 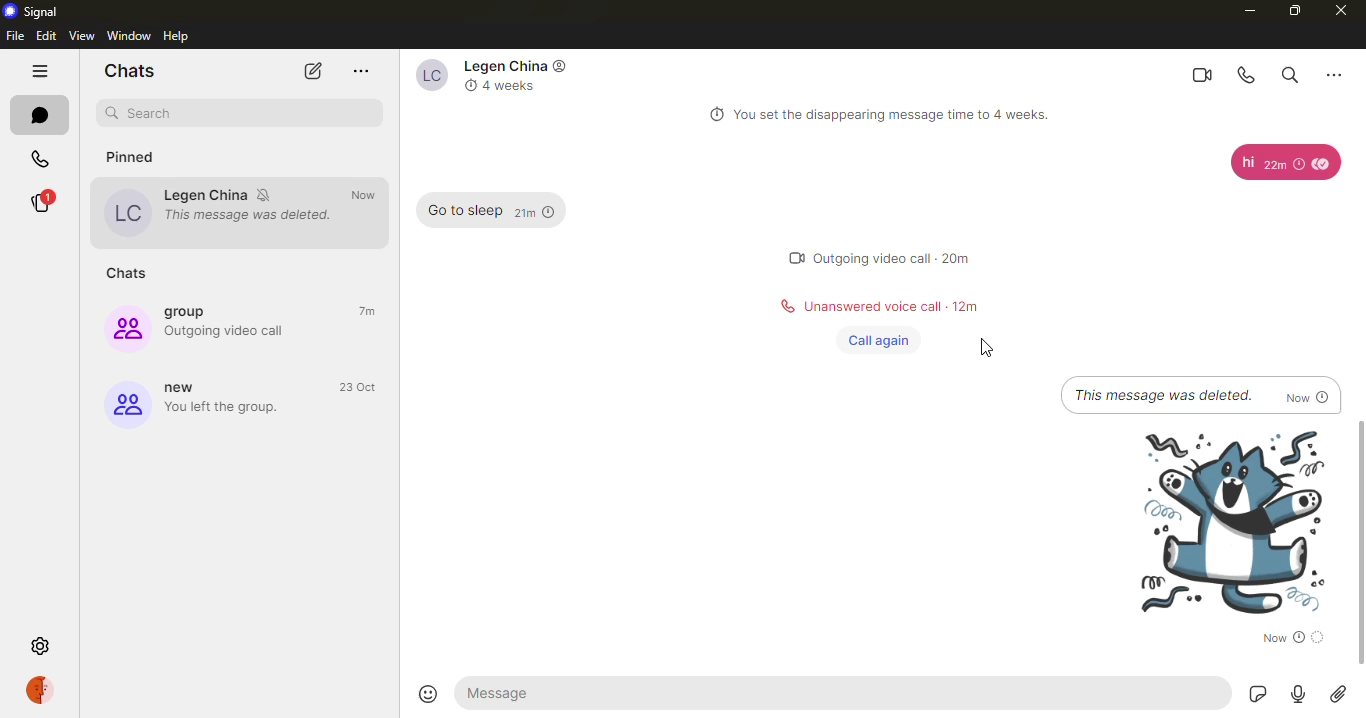 I want to click on Legen China, so click(x=430, y=76).